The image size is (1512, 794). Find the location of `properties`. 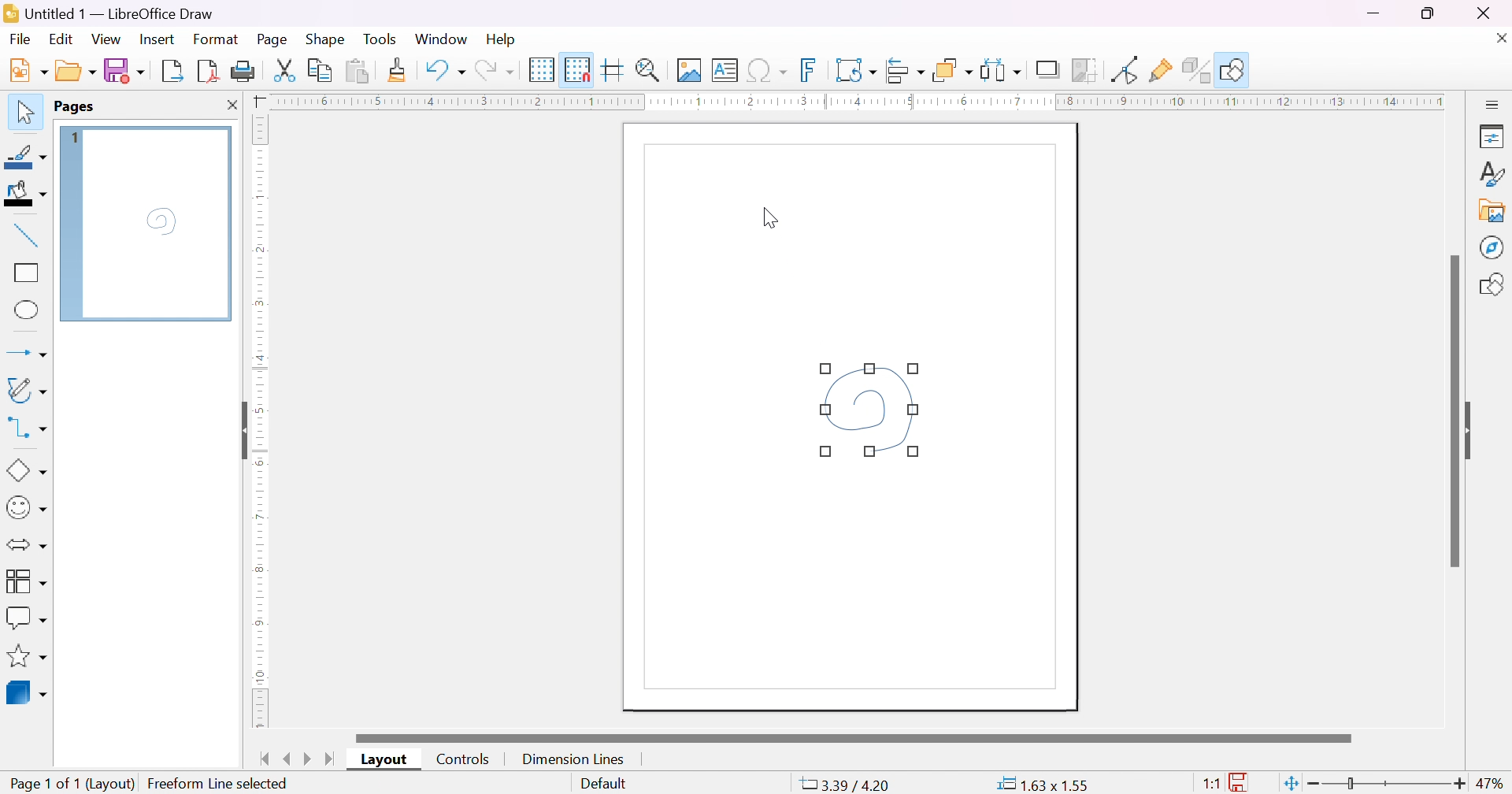

properties is located at coordinates (1492, 135).